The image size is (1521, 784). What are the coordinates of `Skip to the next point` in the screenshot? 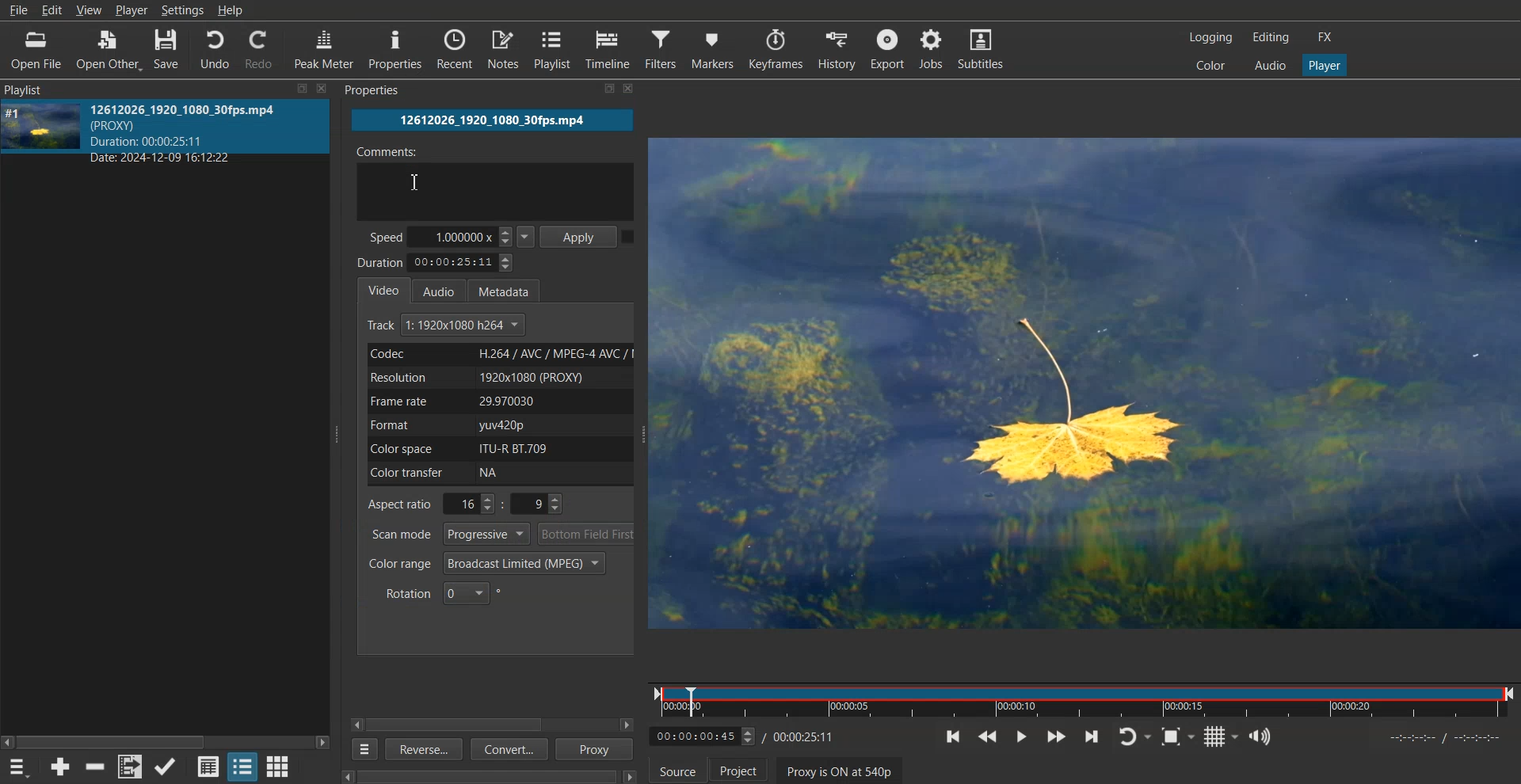 It's located at (1092, 736).